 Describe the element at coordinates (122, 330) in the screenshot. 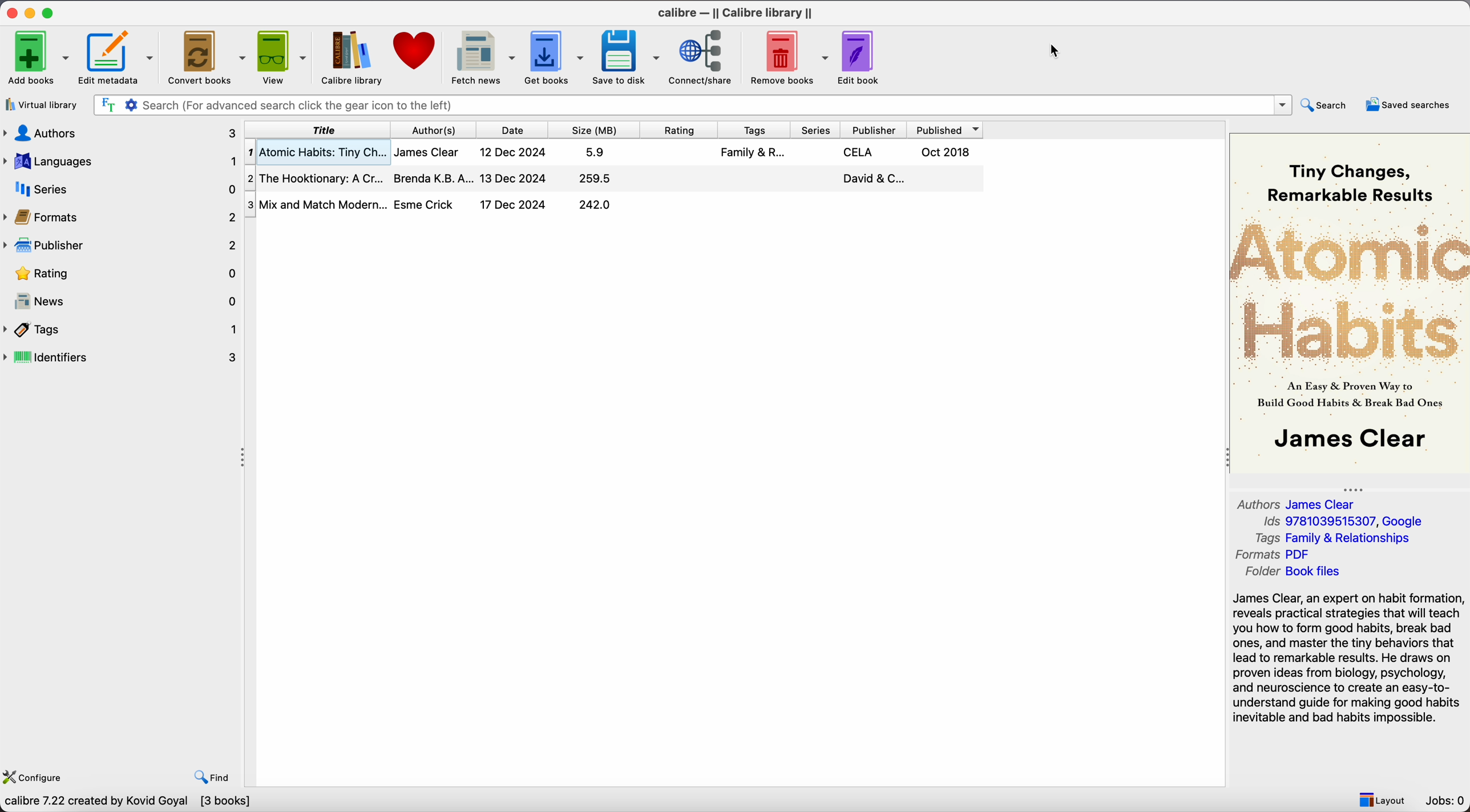

I see `tags` at that location.